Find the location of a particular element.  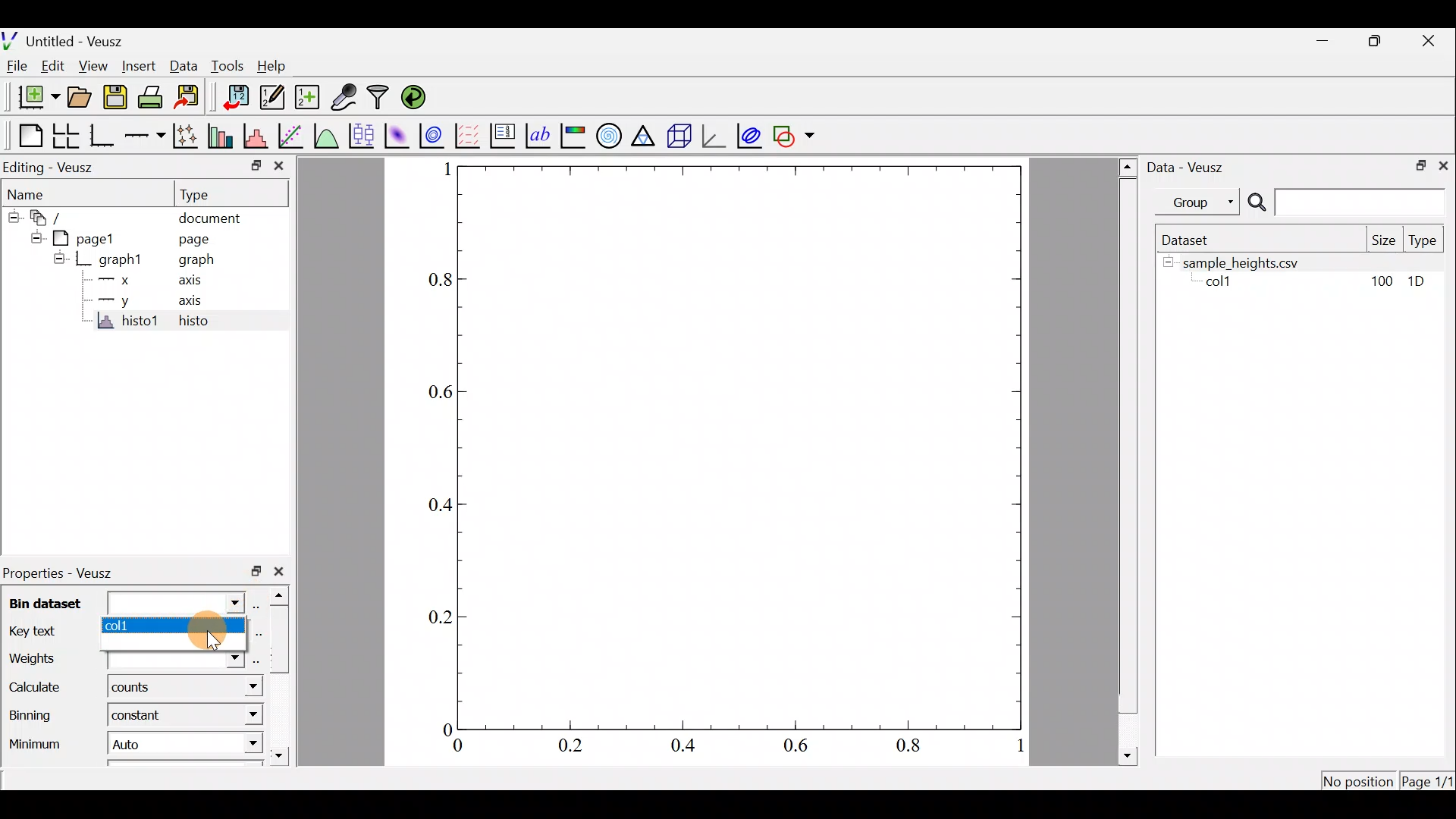

histogram of a dataset is located at coordinates (255, 134).